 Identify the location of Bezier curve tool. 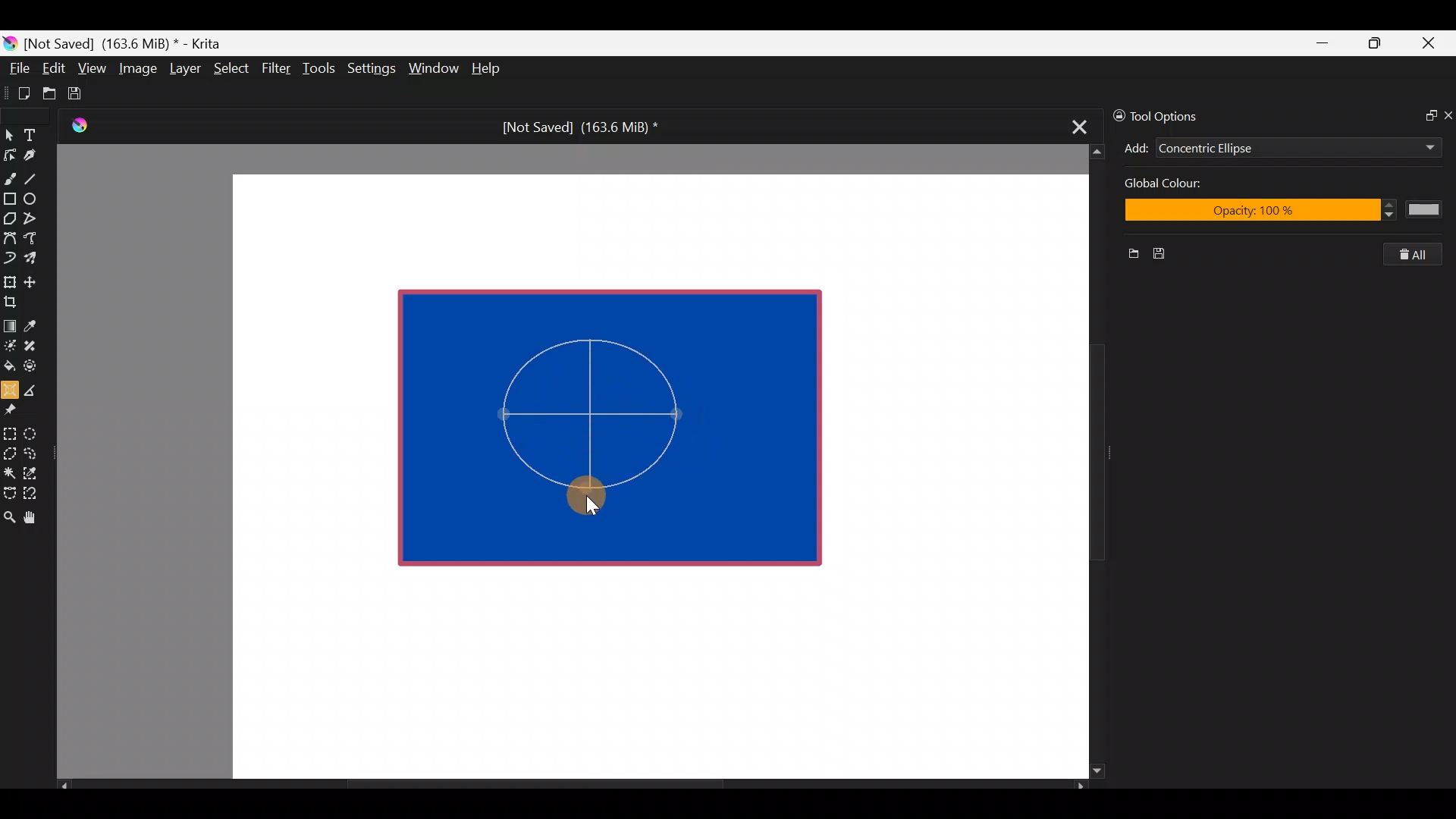
(9, 240).